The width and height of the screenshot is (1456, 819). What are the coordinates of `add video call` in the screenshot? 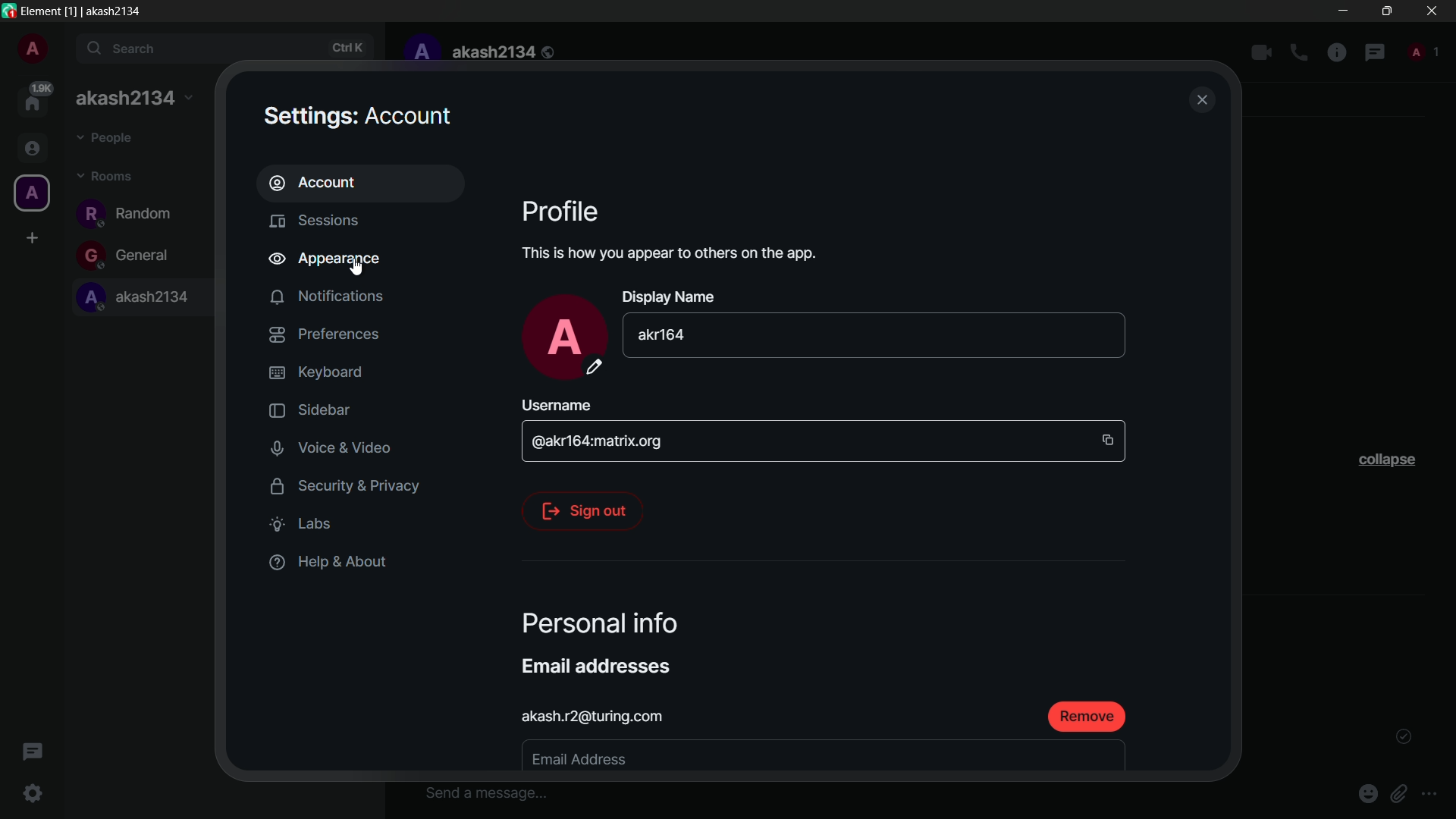 It's located at (1261, 52).